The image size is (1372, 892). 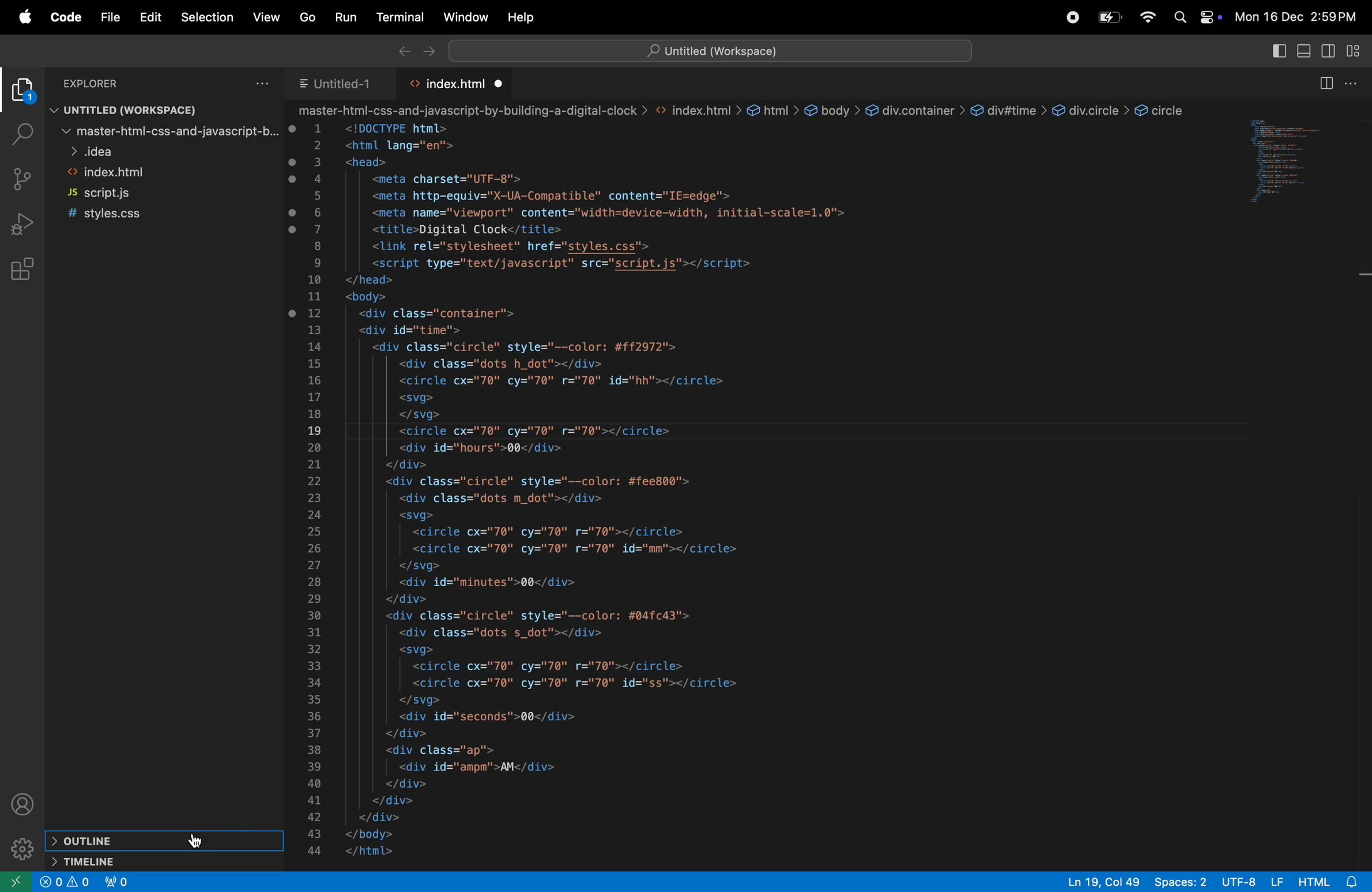 What do you see at coordinates (400, 50) in the screenshot?
I see `backward` at bounding box center [400, 50].